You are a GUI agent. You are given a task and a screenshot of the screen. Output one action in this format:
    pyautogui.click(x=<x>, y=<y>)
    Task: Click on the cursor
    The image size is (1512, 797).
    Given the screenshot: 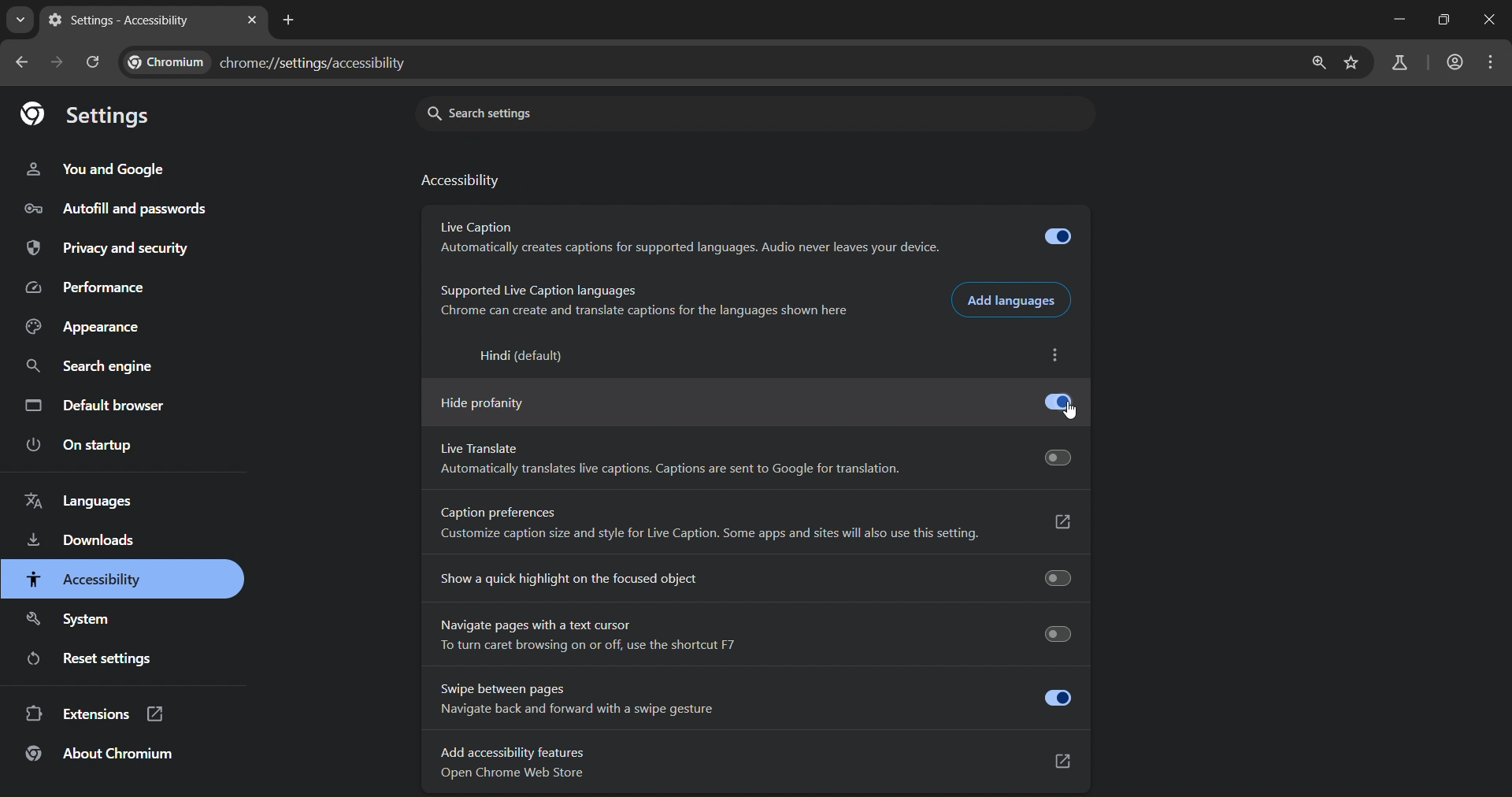 What is the action you would take?
    pyautogui.click(x=1073, y=413)
    